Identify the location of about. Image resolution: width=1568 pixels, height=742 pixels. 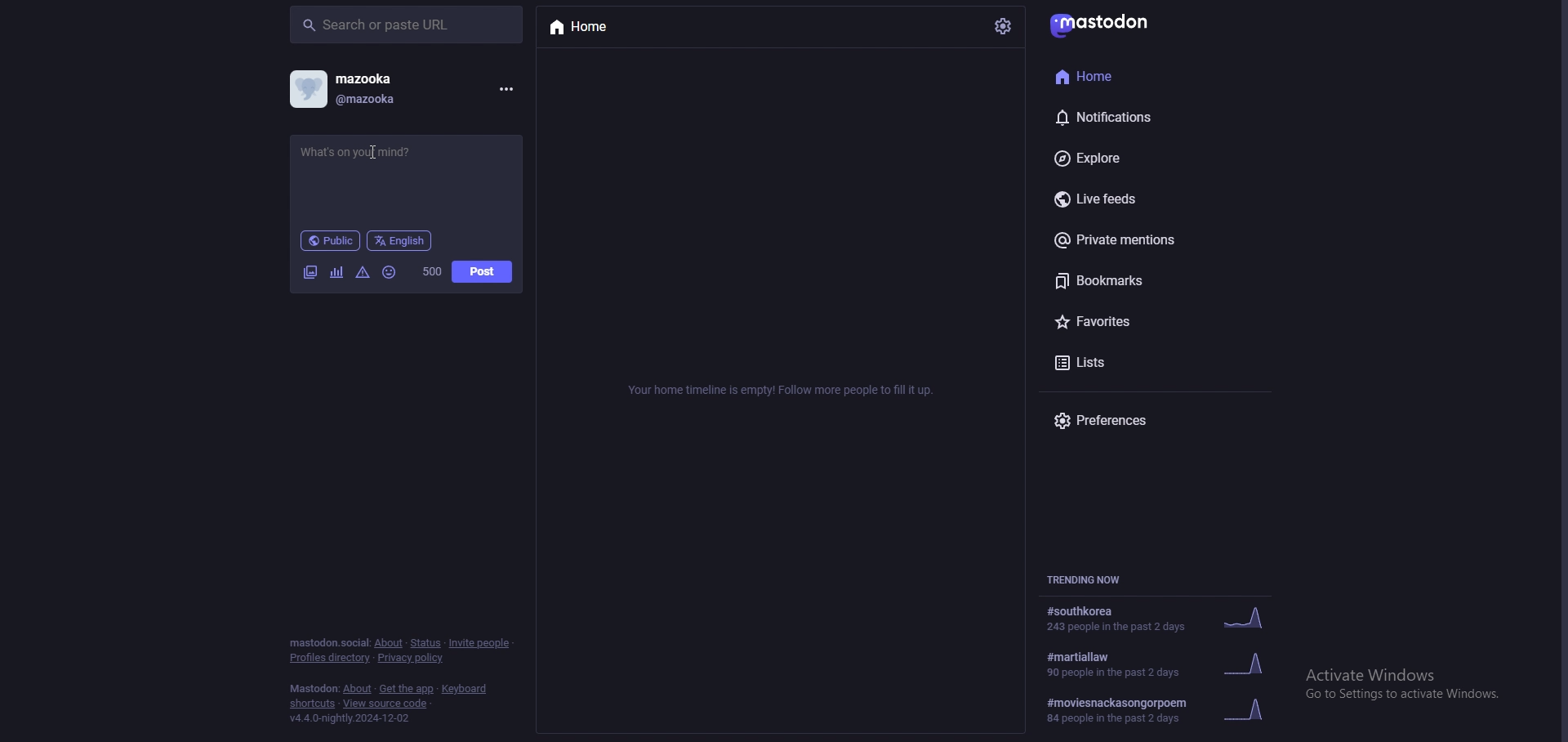
(388, 642).